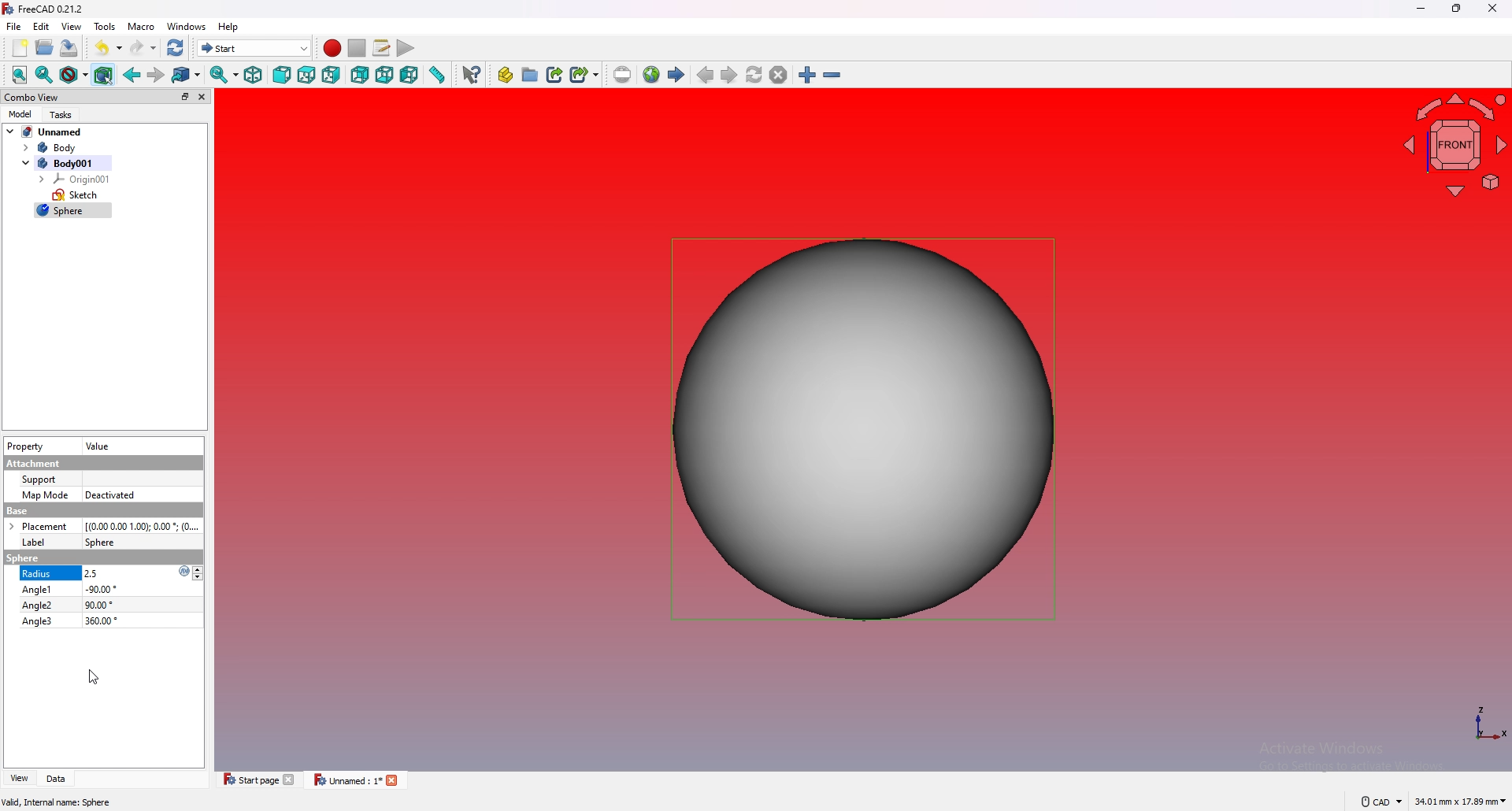 The width and height of the screenshot is (1512, 811). What do you see at coordinates (14, 27) in the screenshot?
I see `file` at bounding box center [14, 27].